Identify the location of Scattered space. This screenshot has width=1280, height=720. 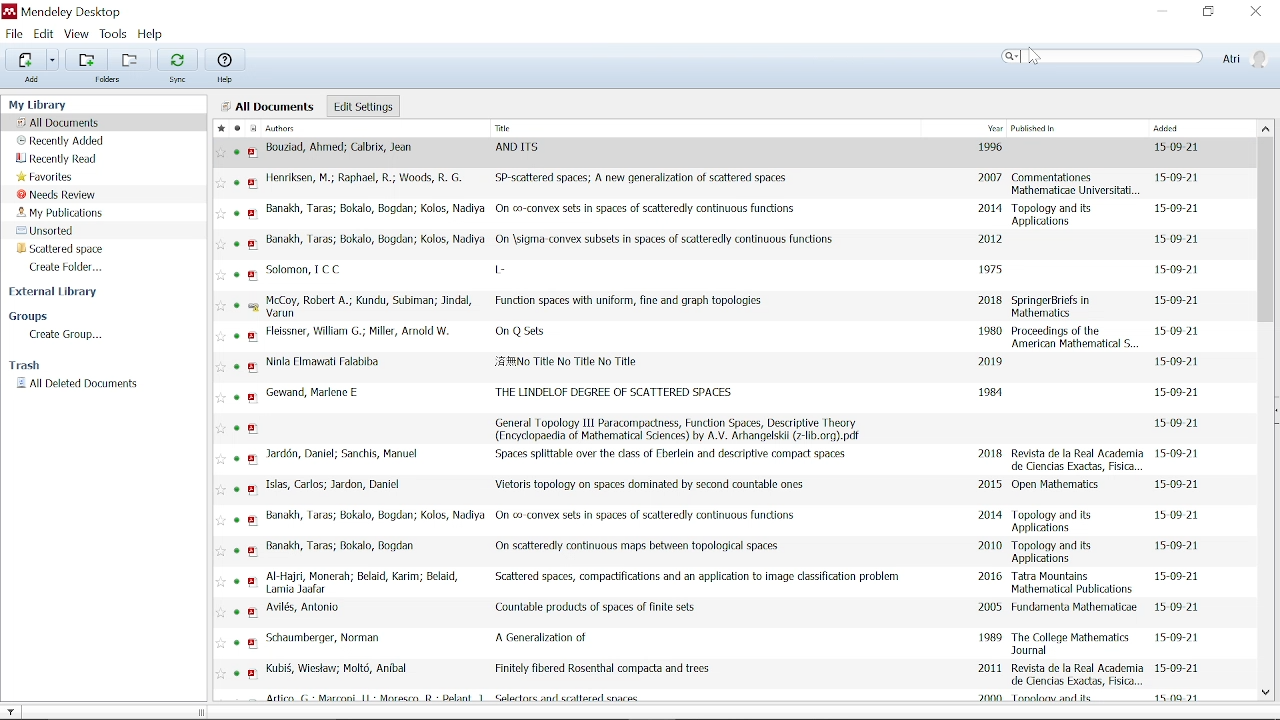
(58, 248).